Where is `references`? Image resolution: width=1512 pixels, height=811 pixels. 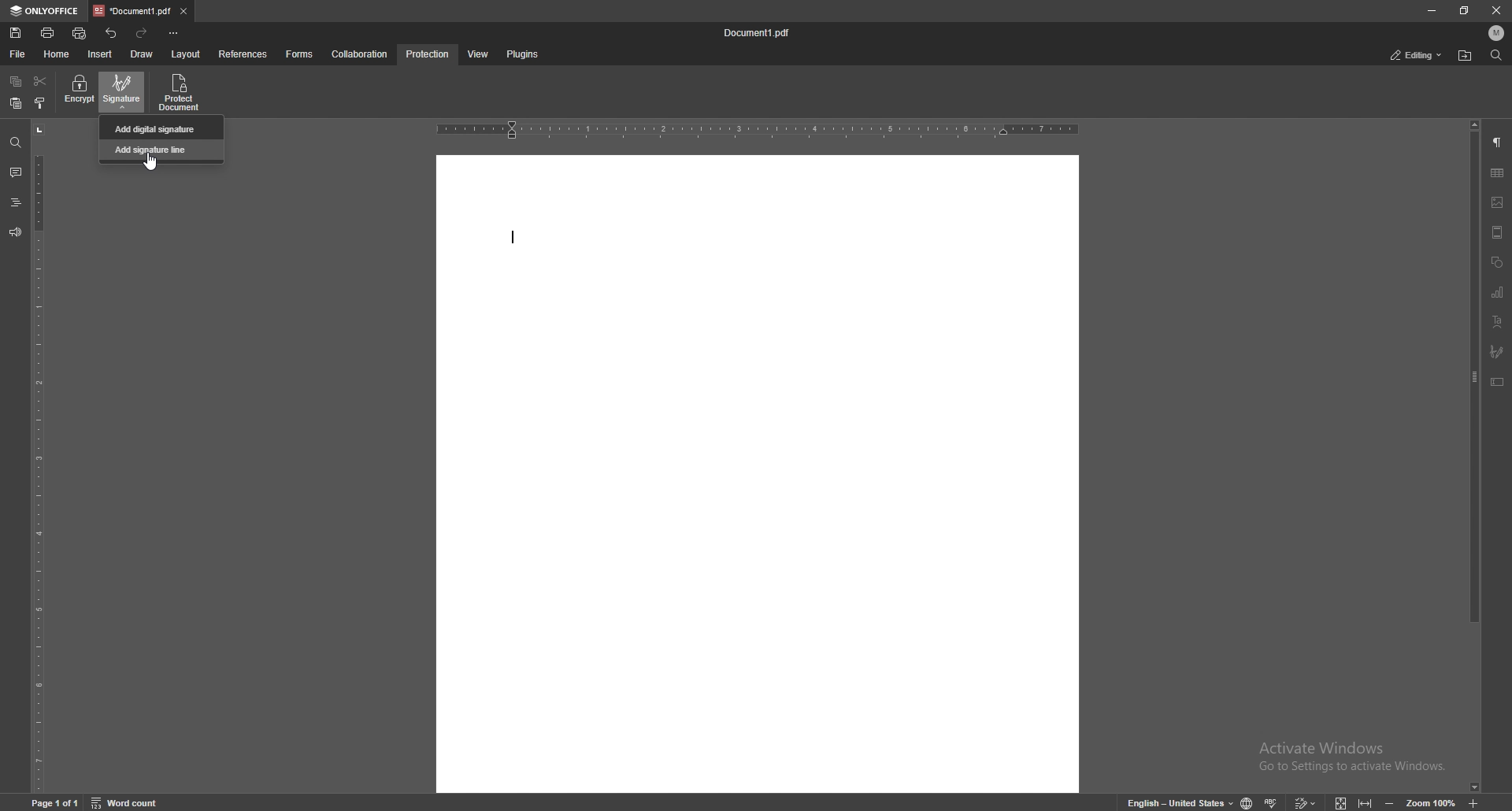
references is located at coordinates (245, 54).